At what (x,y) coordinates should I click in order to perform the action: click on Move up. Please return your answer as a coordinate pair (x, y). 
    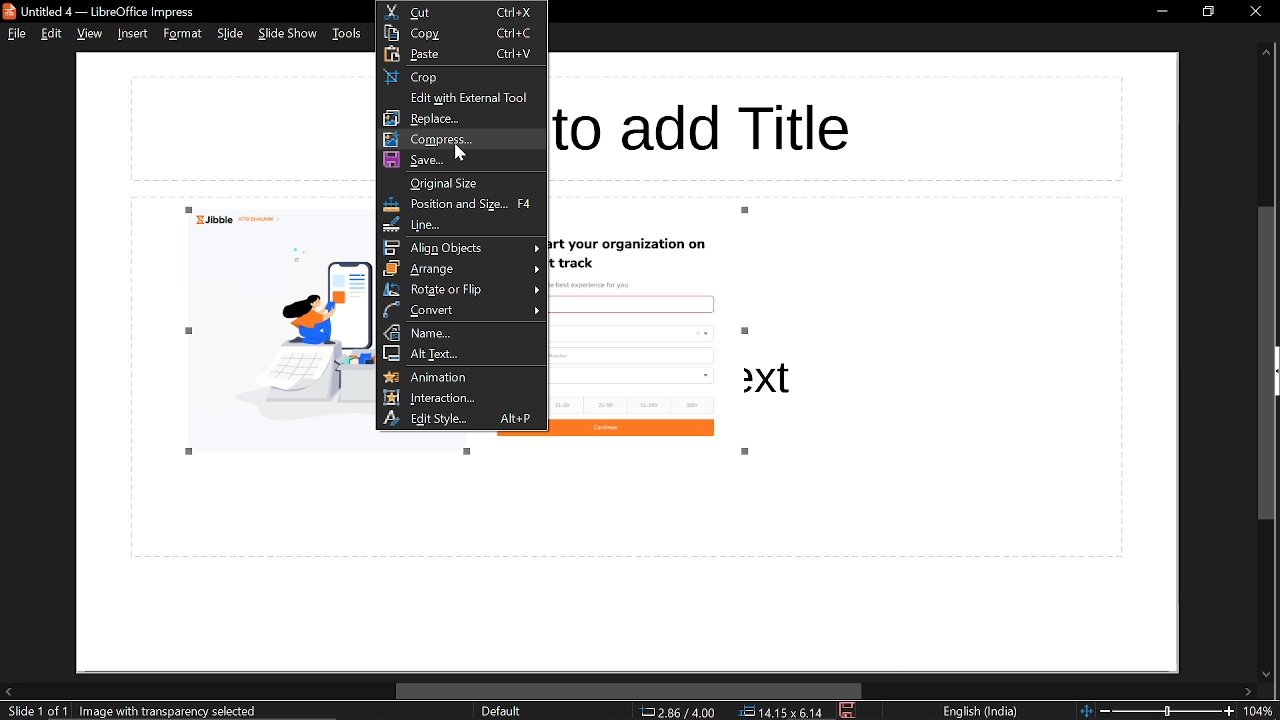
    Looking at the image, I should click on (1266, 53).